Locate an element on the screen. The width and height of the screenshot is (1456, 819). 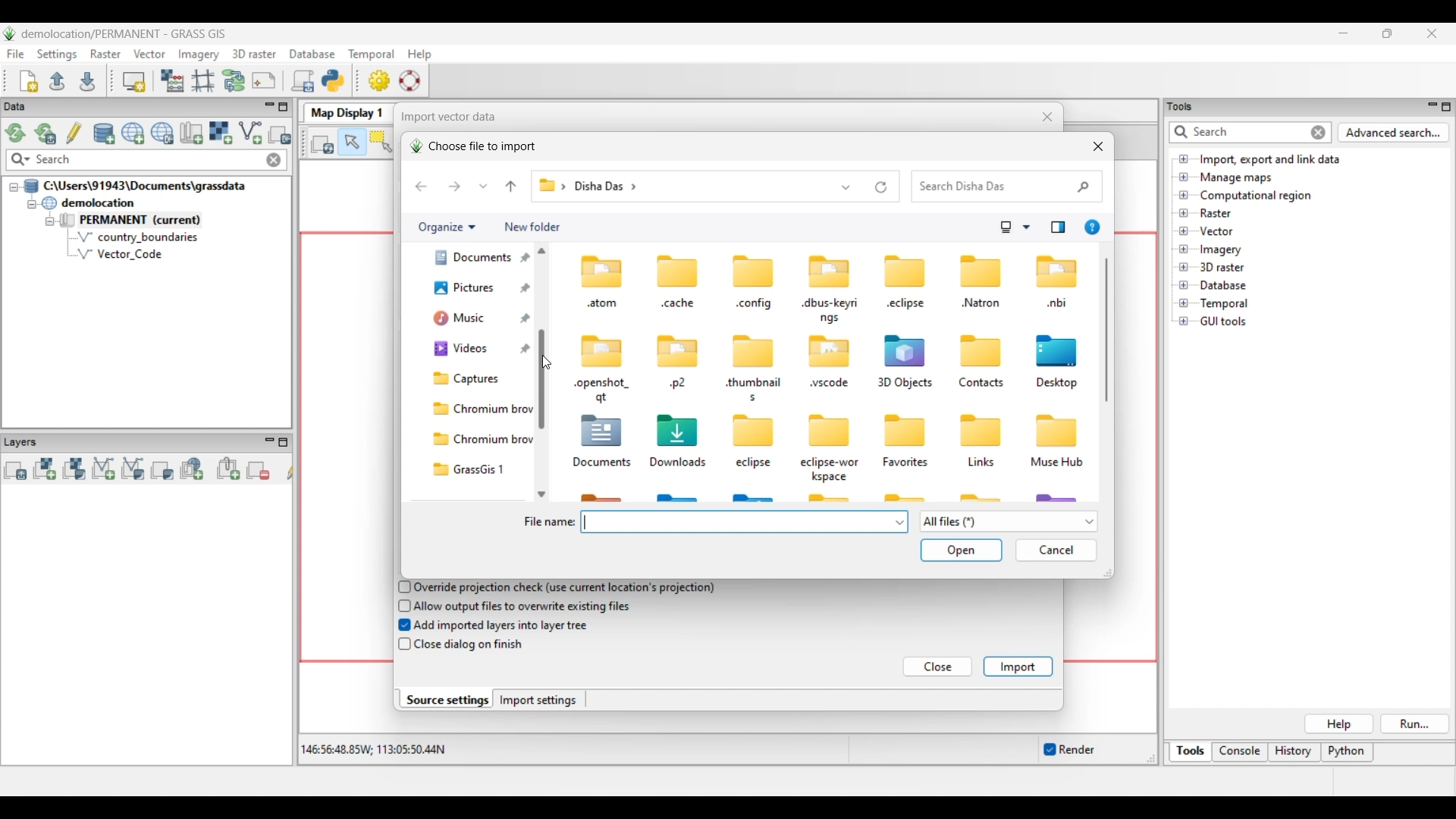
Go back is located at coordinates (421, 187).